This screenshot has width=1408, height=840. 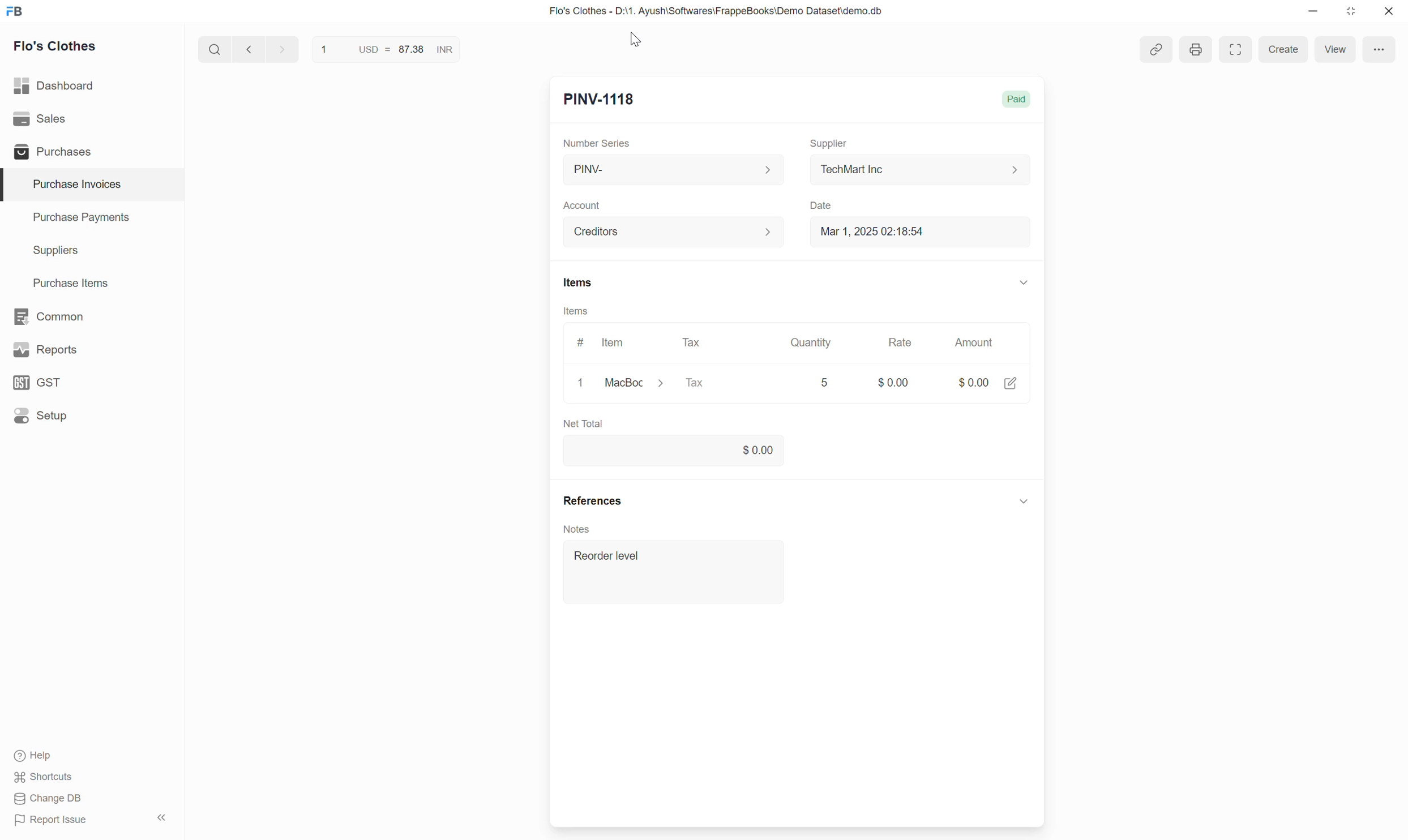 I want to click on Date, so click(x=822, y=206).